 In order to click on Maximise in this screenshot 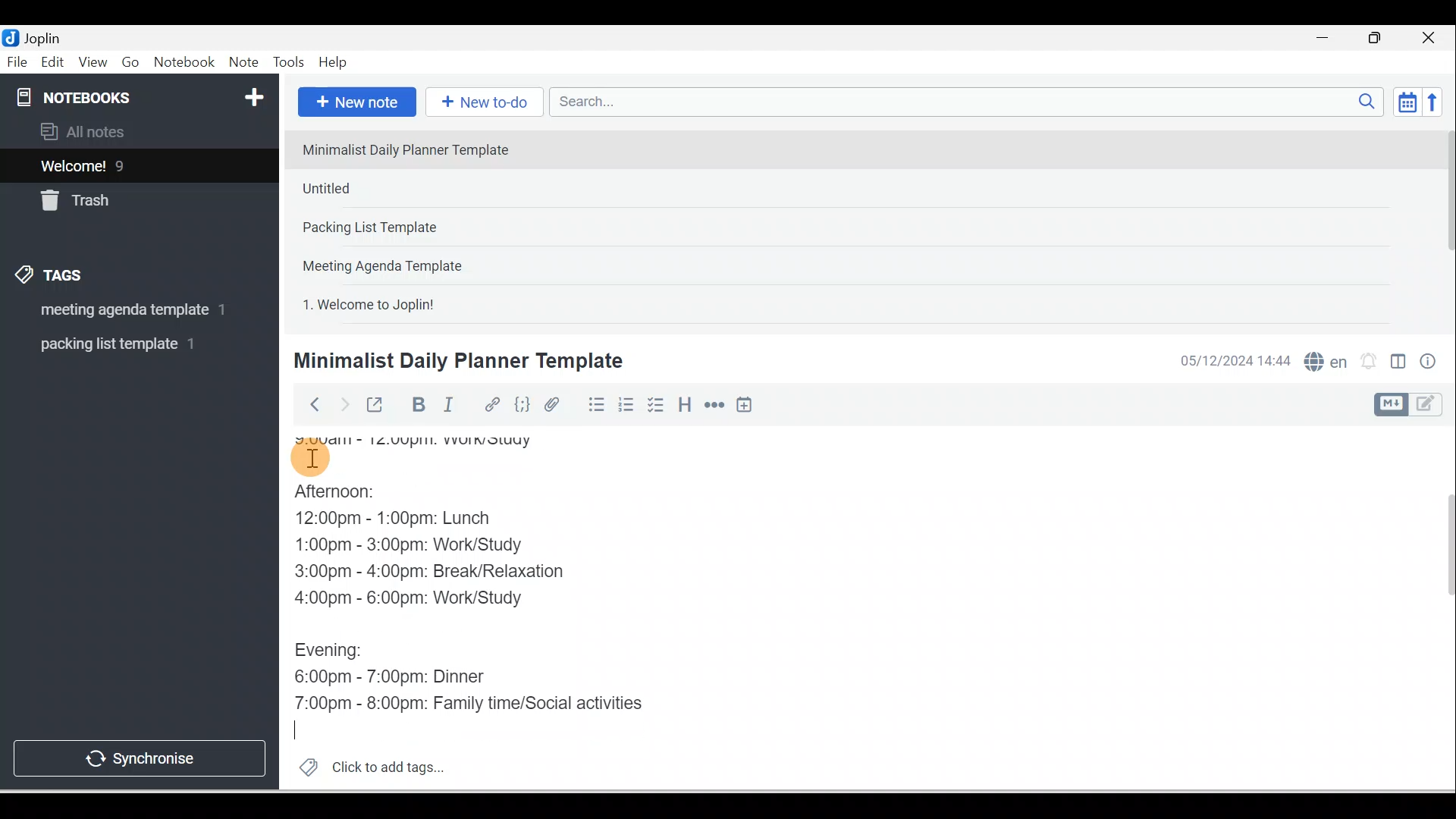, I will do `click(1380, 39)`.